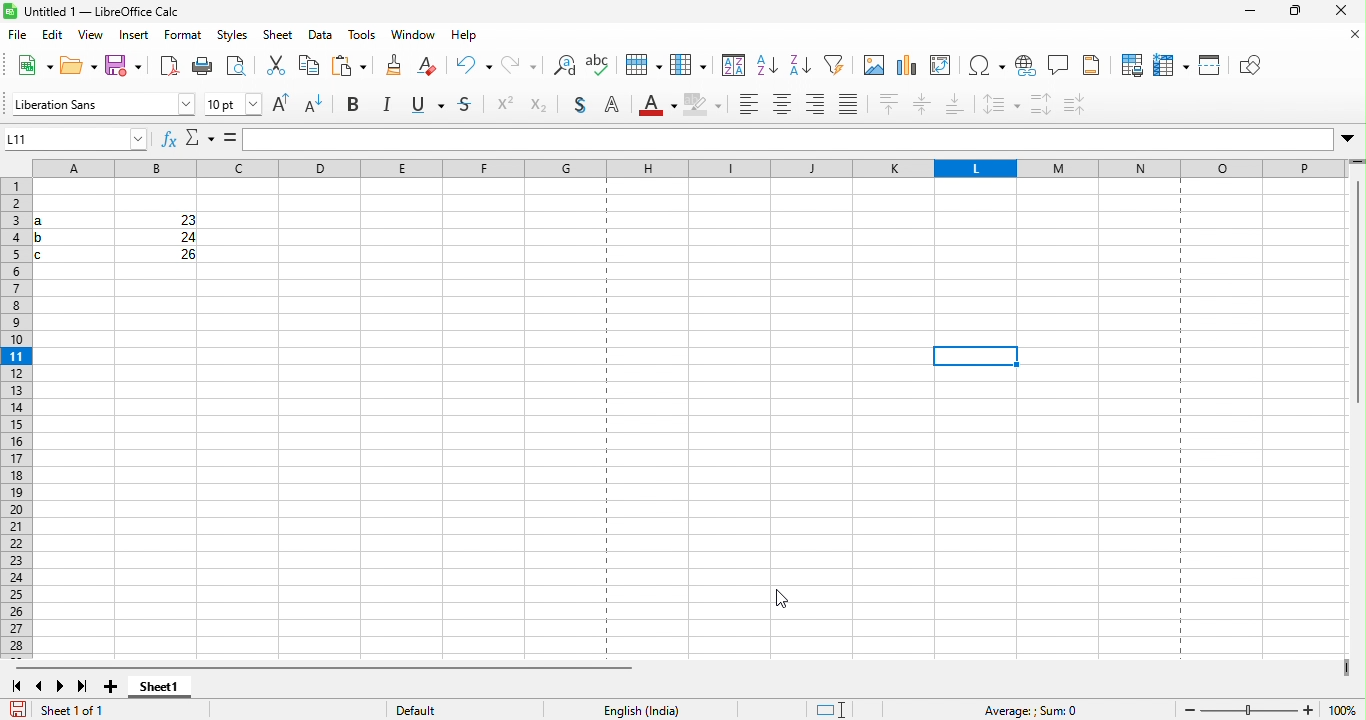  What do you see at coordinates (360, 38) in the screenshot?
I see `tools` at bounding box center [360, 38].